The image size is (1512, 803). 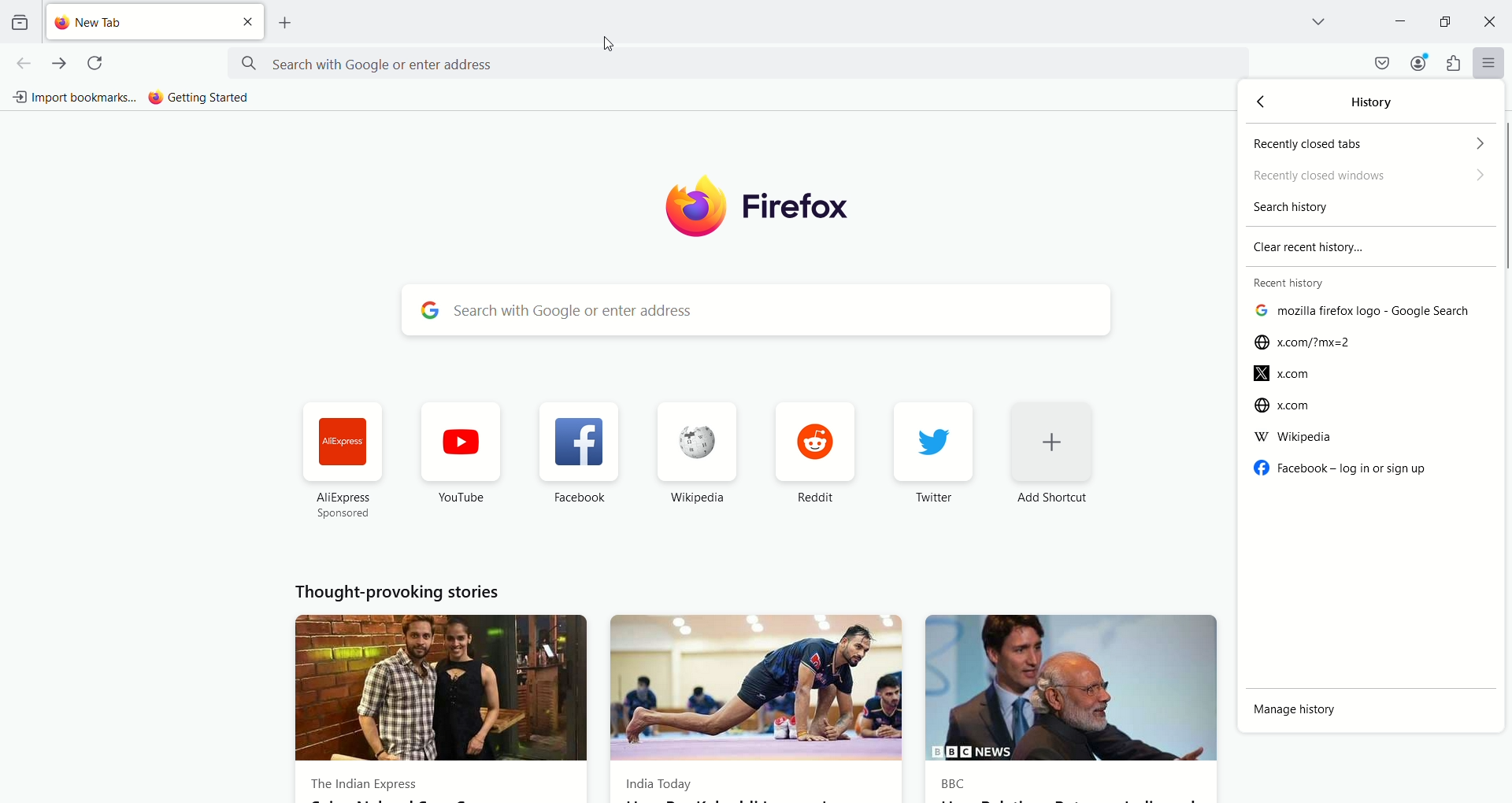 I want to click on recently closed tabs, so click(x=1372, y=145).